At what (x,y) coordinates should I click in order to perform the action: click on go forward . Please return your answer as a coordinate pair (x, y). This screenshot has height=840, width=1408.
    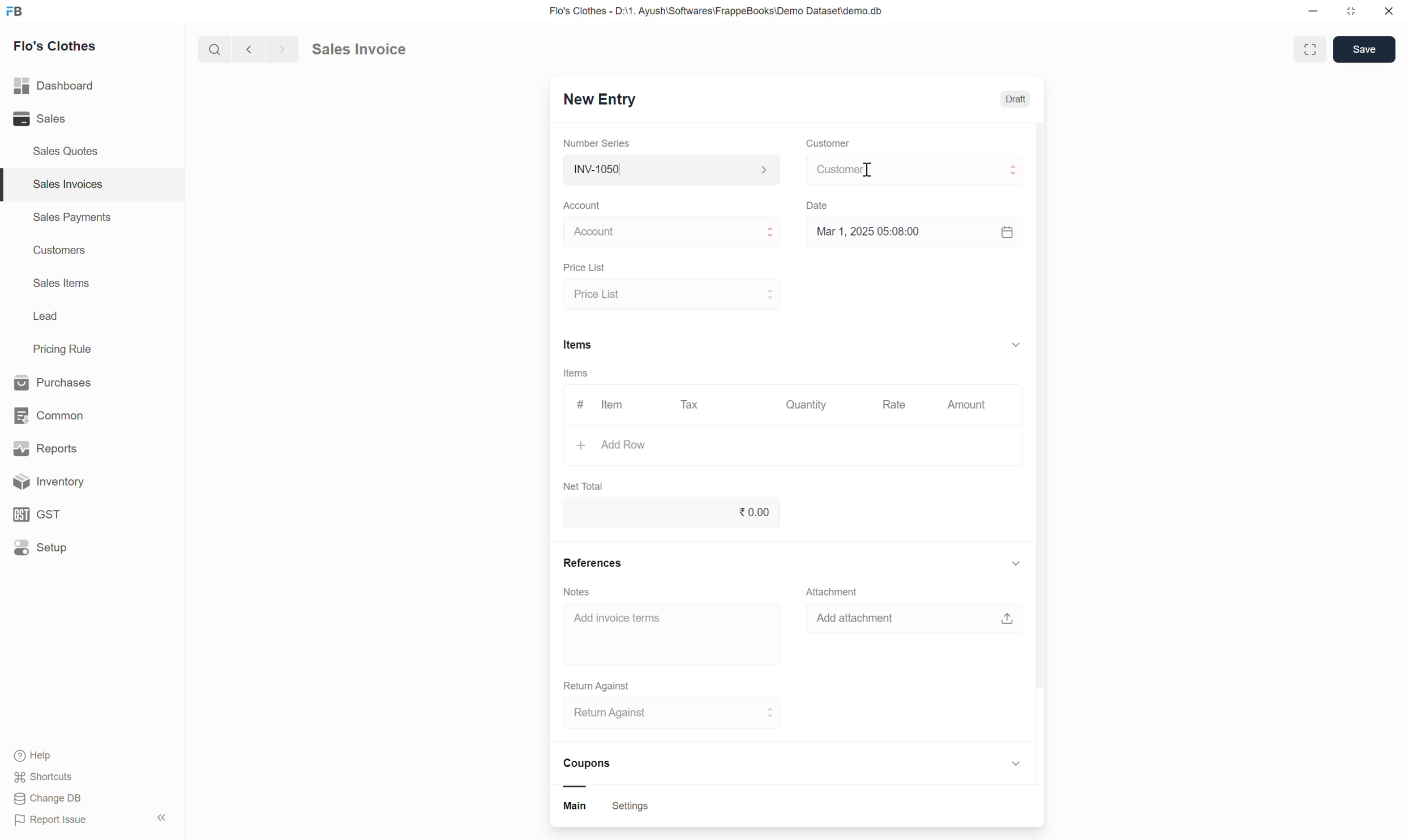
    Looking at the image, I should click on (279, 52).